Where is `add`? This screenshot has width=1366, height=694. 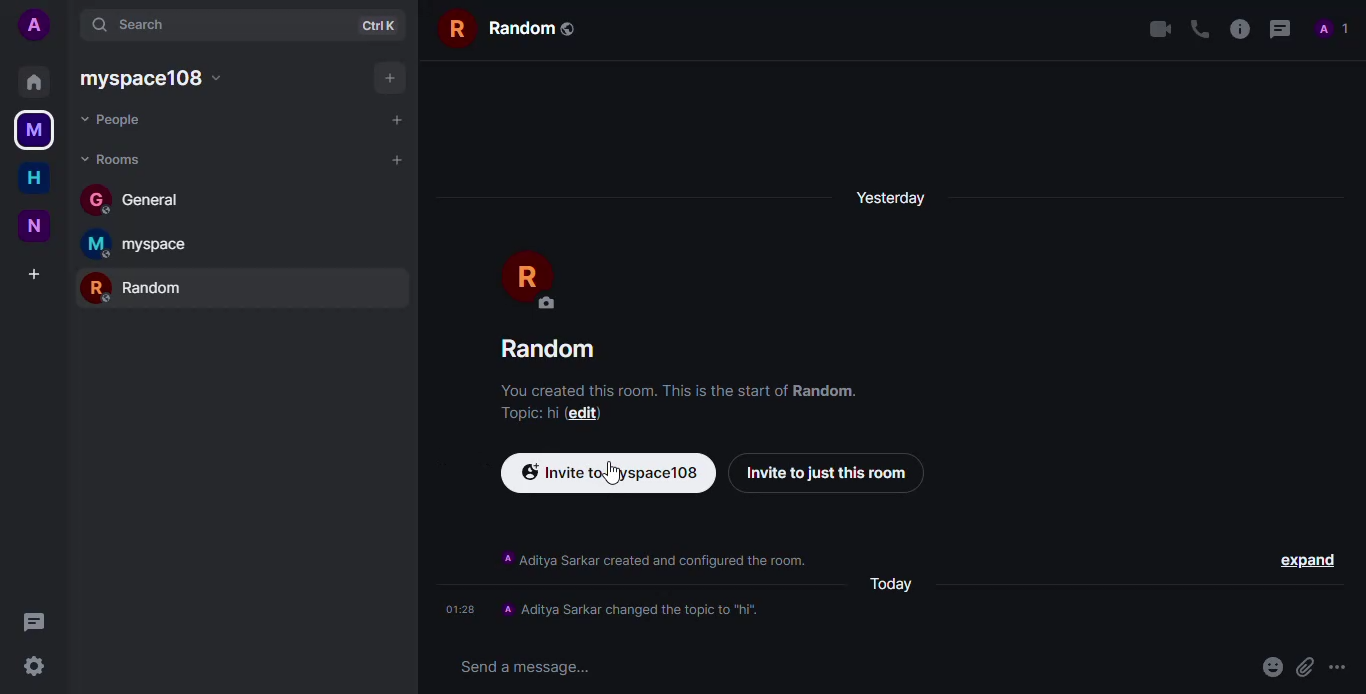 add is located at coordinates (396, 158).